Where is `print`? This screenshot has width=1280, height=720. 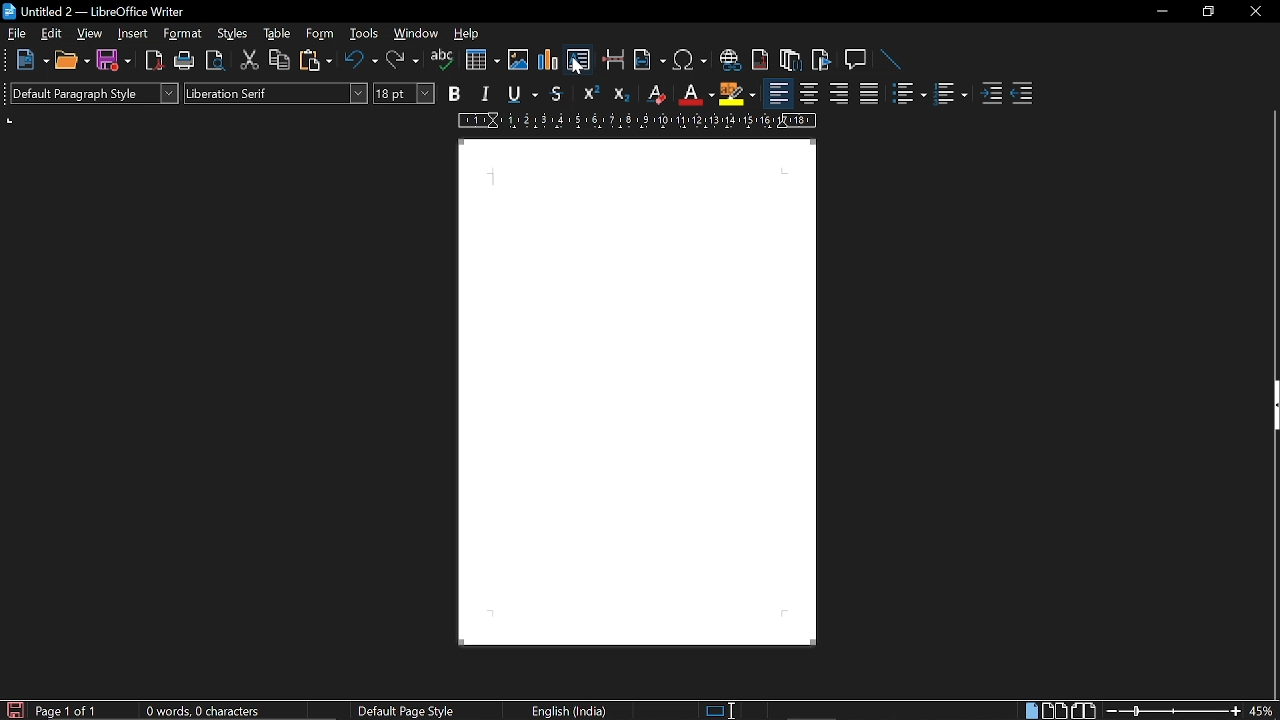 print is located at coordinates (182, 60).